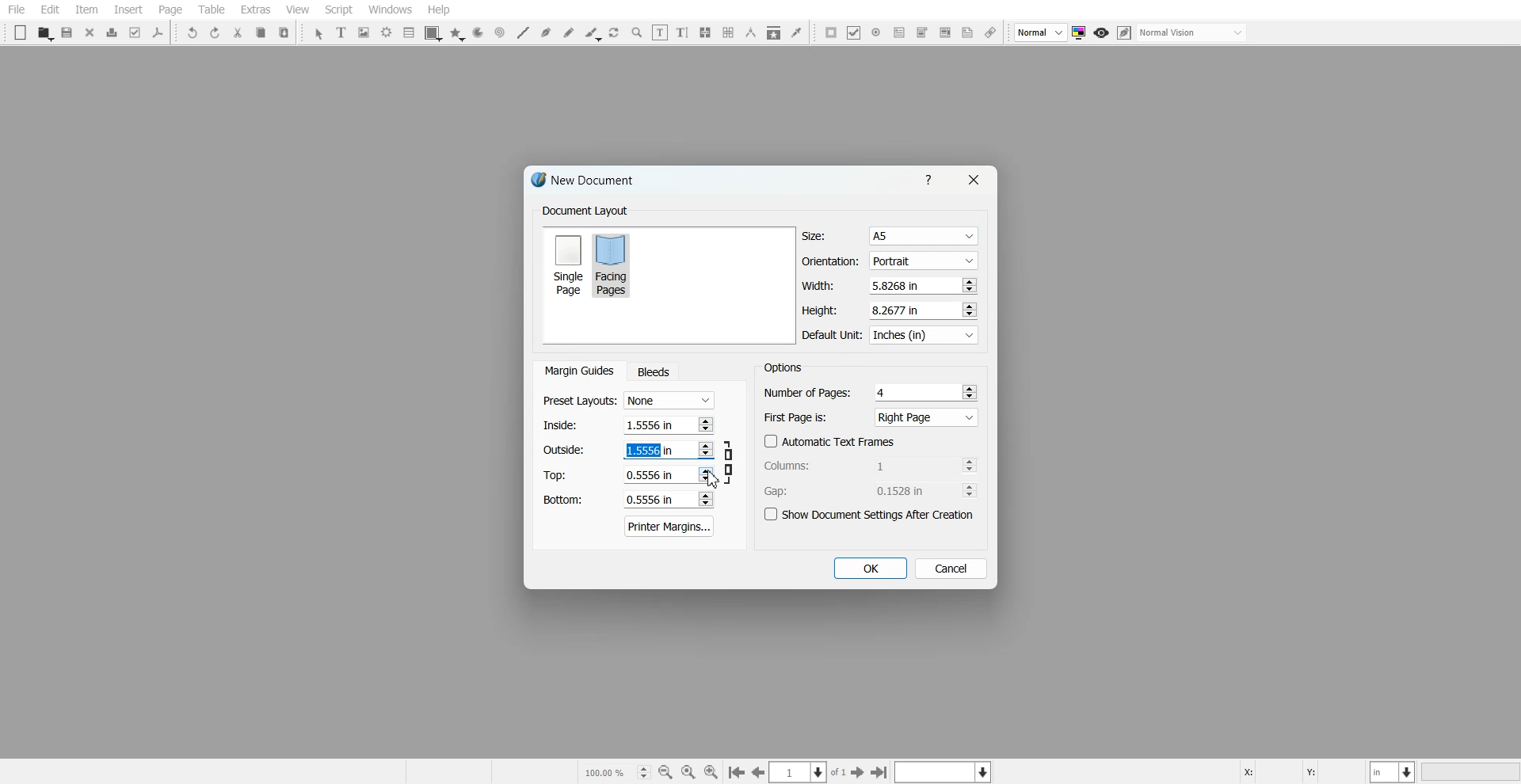 Image resolution: width=1521 pixels, height=784 pixels. Describe the element at coordinates (629, 450) in the screenshot. I see `Right margin adjuster` at that location.